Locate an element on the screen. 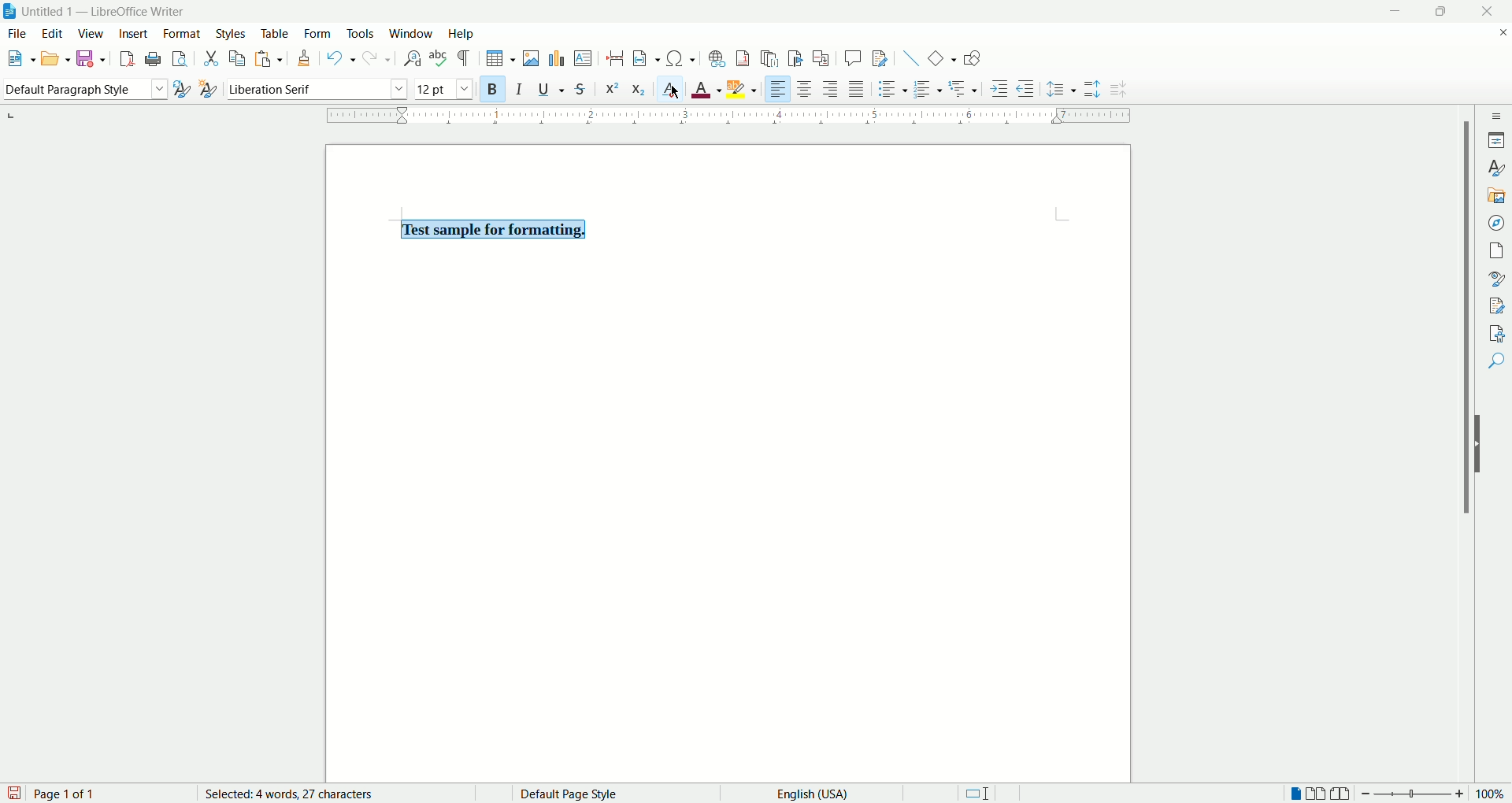 Image resolution: width=1512 pixels, height=803 pixels. maximize is located at coordinates (1440, 12).